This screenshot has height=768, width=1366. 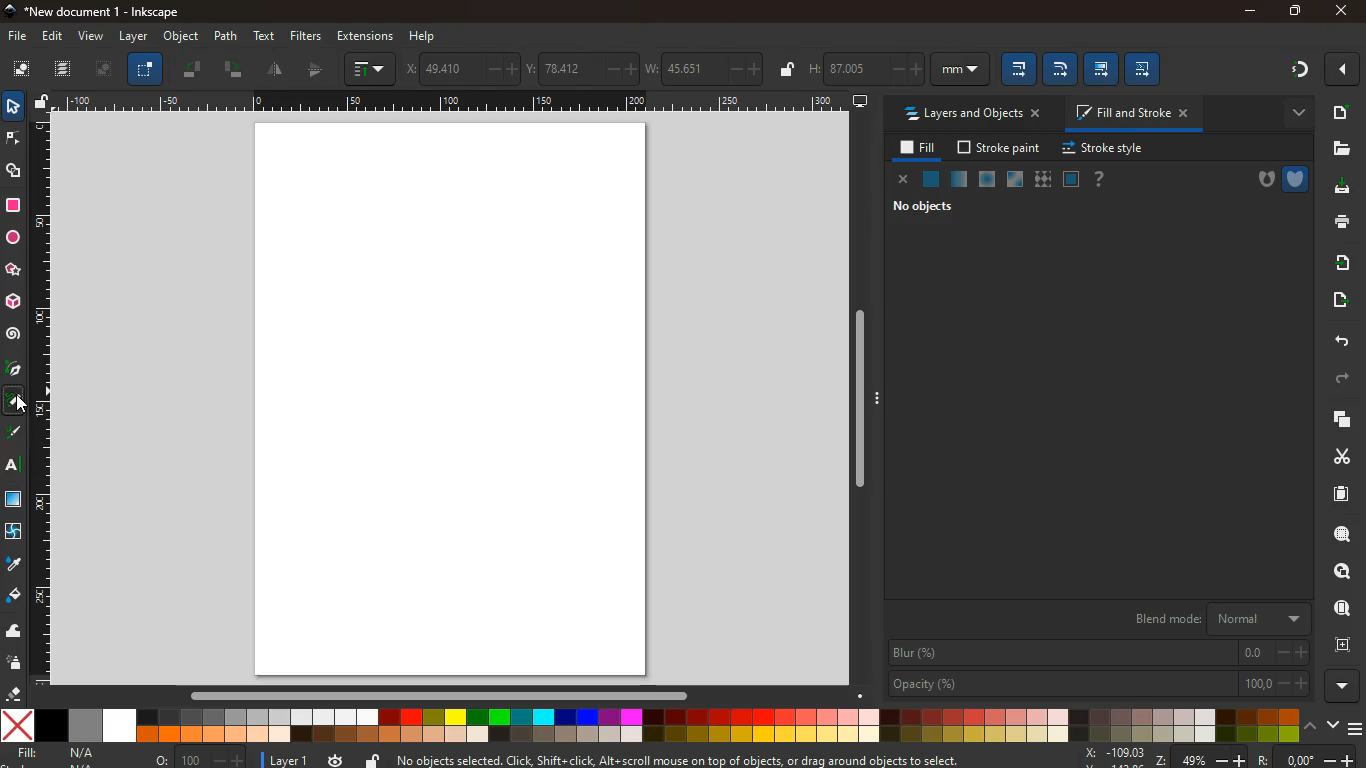 What do you see at coordinates (1338, 221) in the screenshot?
I see `print` at bounding box center [1338, 221].